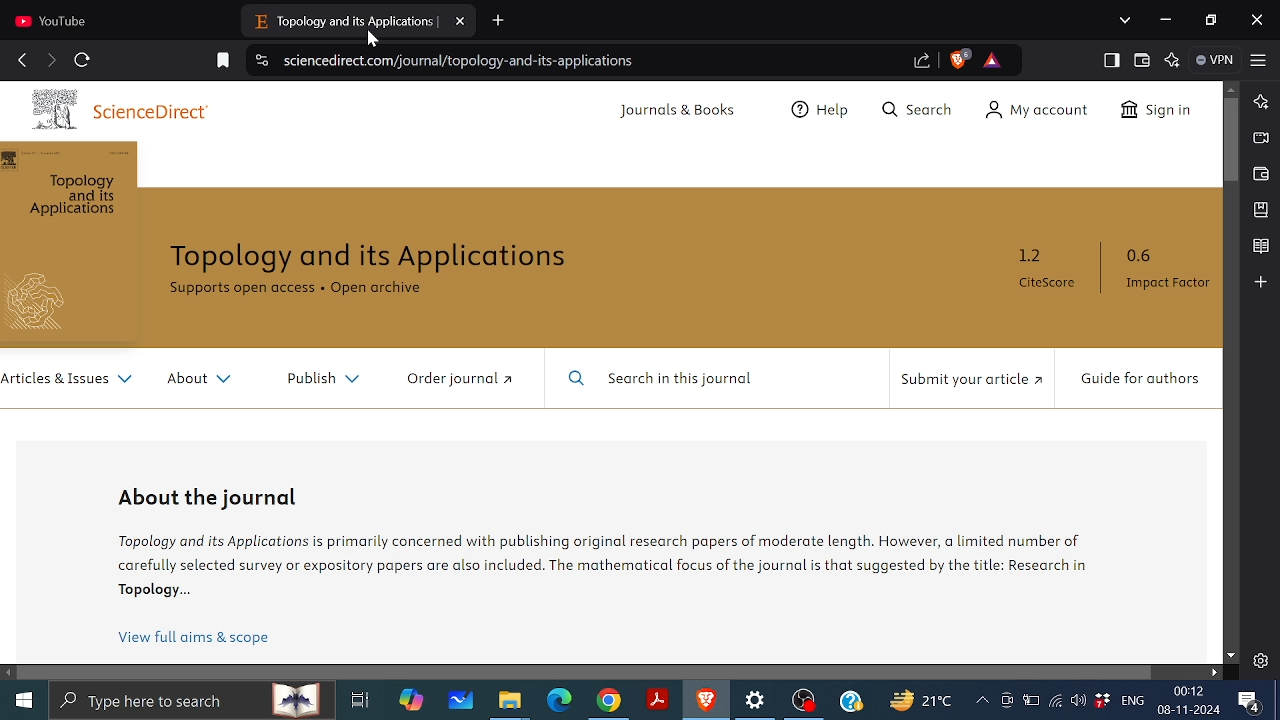 This screenshot has height=720, width=1280. Describe the element at coordinates (1262, 100) in the screenshot. I see `Leo` at that location.